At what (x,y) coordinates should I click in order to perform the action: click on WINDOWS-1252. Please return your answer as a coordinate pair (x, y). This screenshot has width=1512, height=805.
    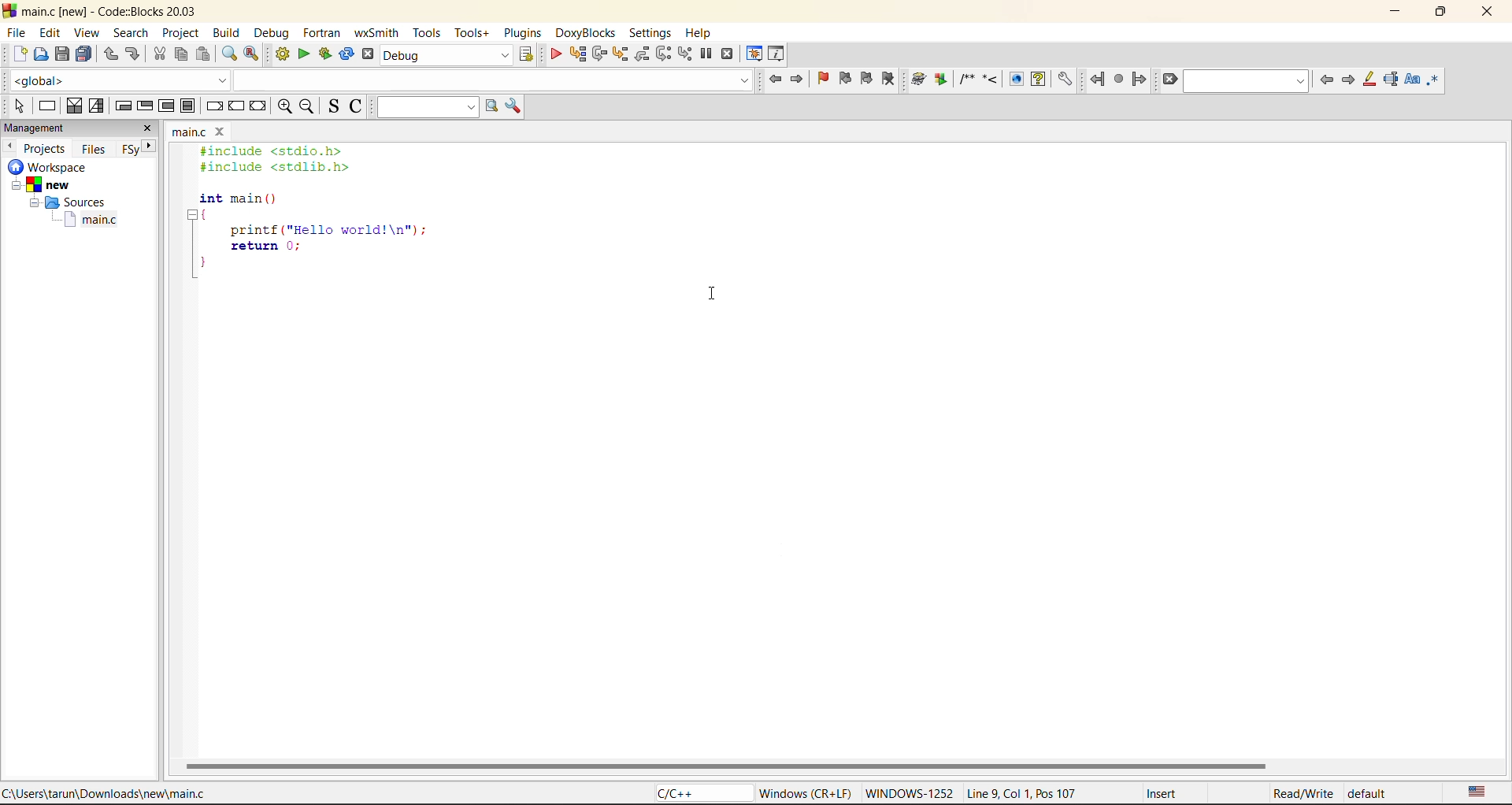
    Looking at the image, I should click on (908, 795).